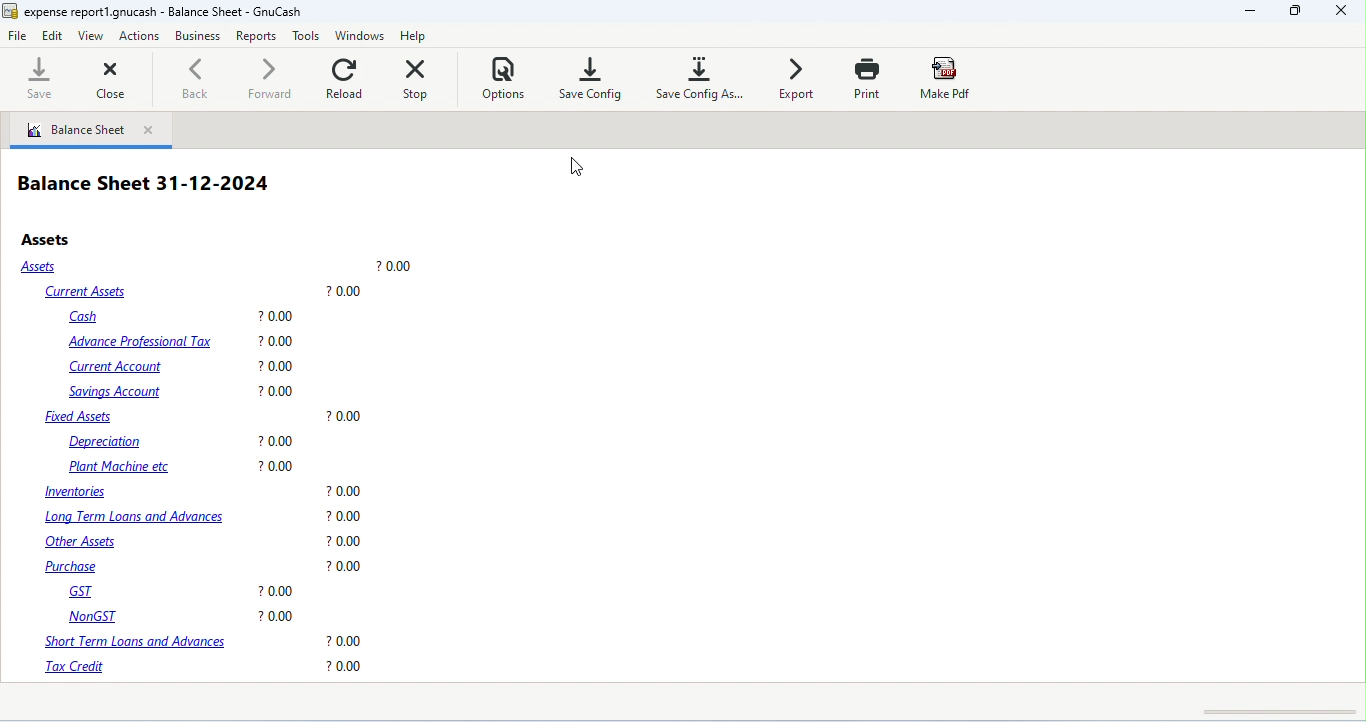  What do you see at coordinates (152, 131) in the screenshot?
I see `close` at bounding box center [152, 131].